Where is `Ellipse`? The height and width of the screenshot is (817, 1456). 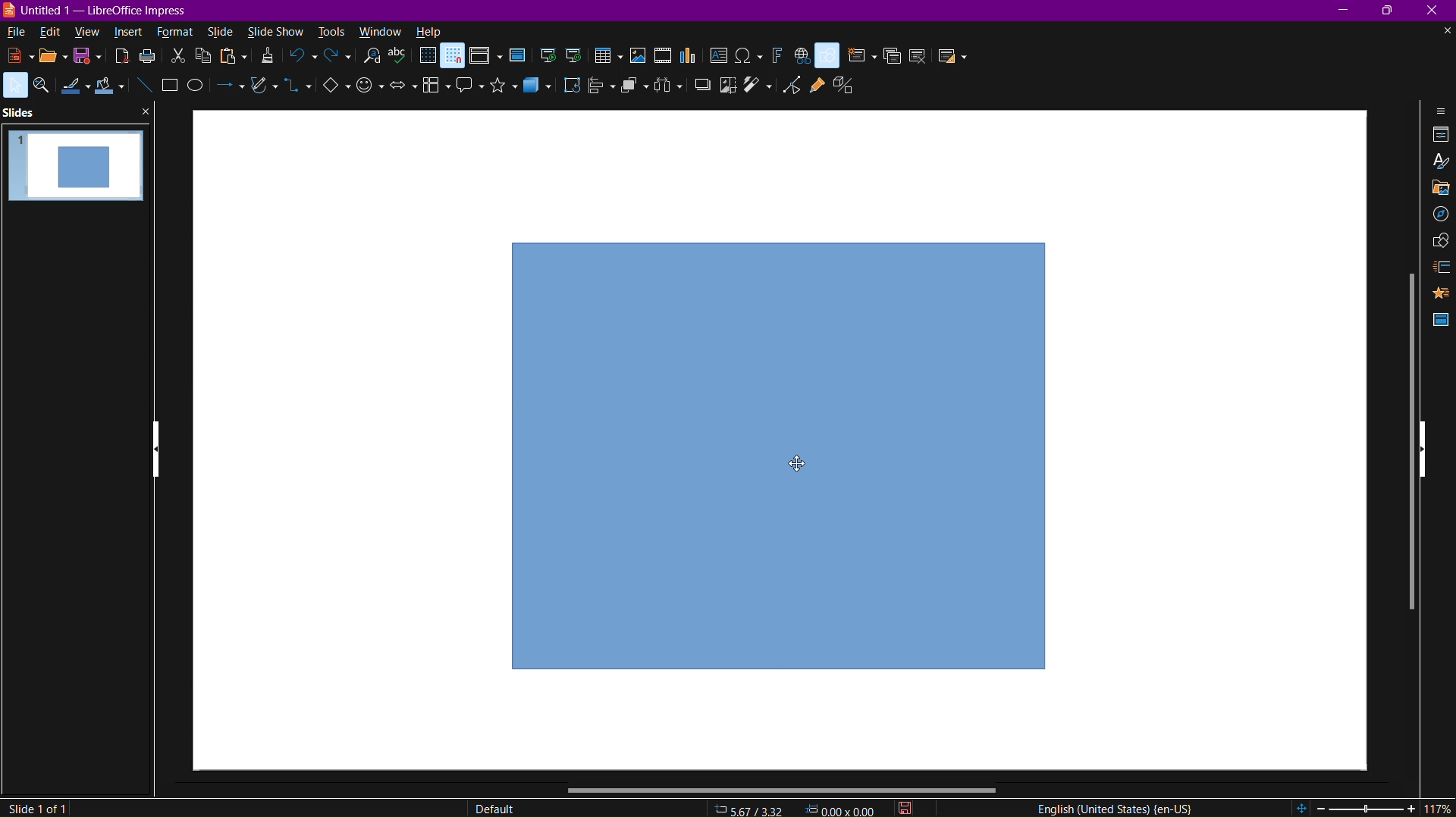 Ellipse is located at coordinates (199, 92).